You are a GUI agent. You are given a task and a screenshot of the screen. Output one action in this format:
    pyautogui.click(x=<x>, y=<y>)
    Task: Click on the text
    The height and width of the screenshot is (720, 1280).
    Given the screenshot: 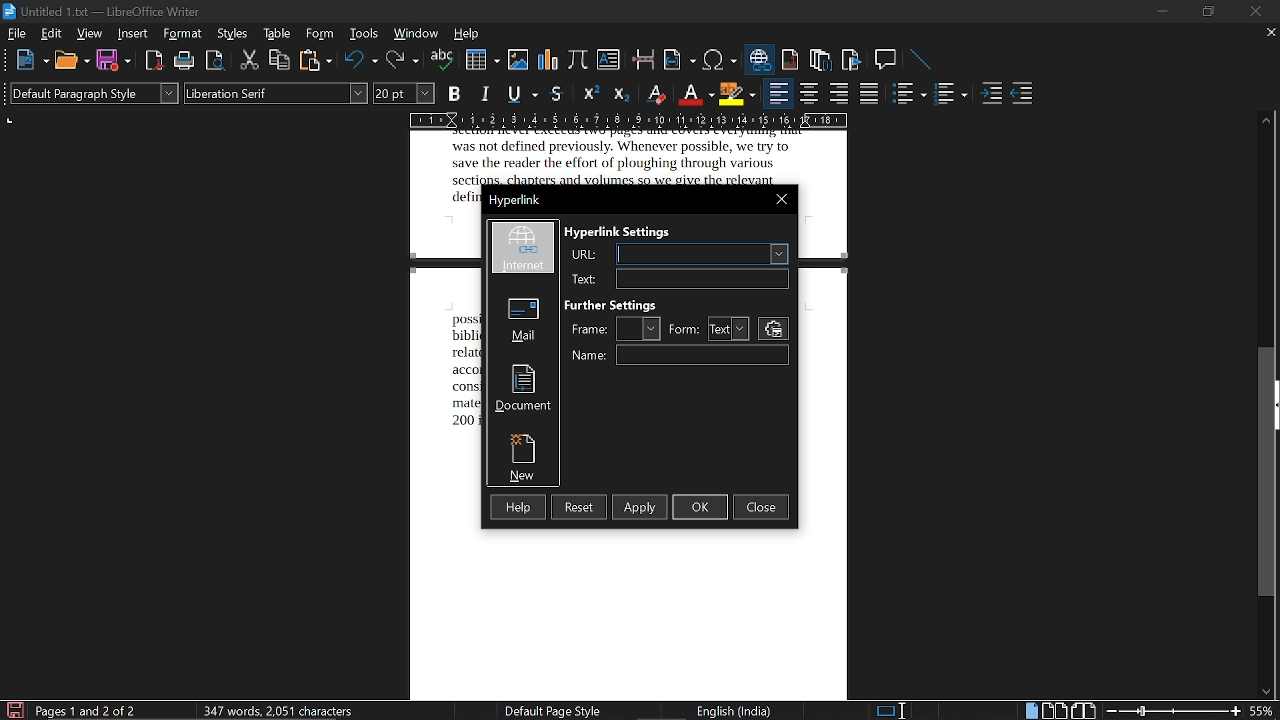 What is the action you would take?
    pyautogui.click(x=703, y=279)
    